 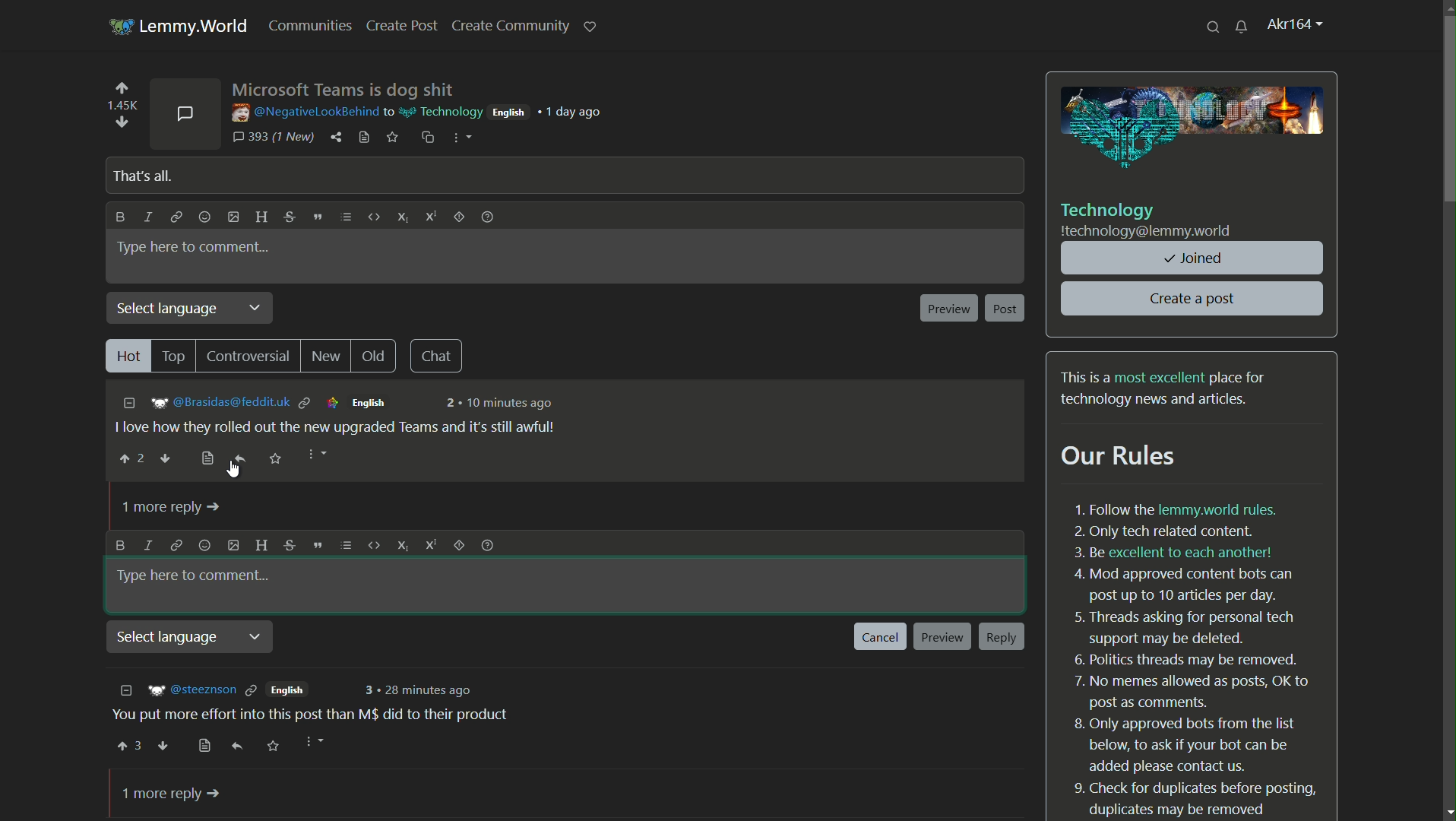 I want to click on code, so click(x=372, y=218).